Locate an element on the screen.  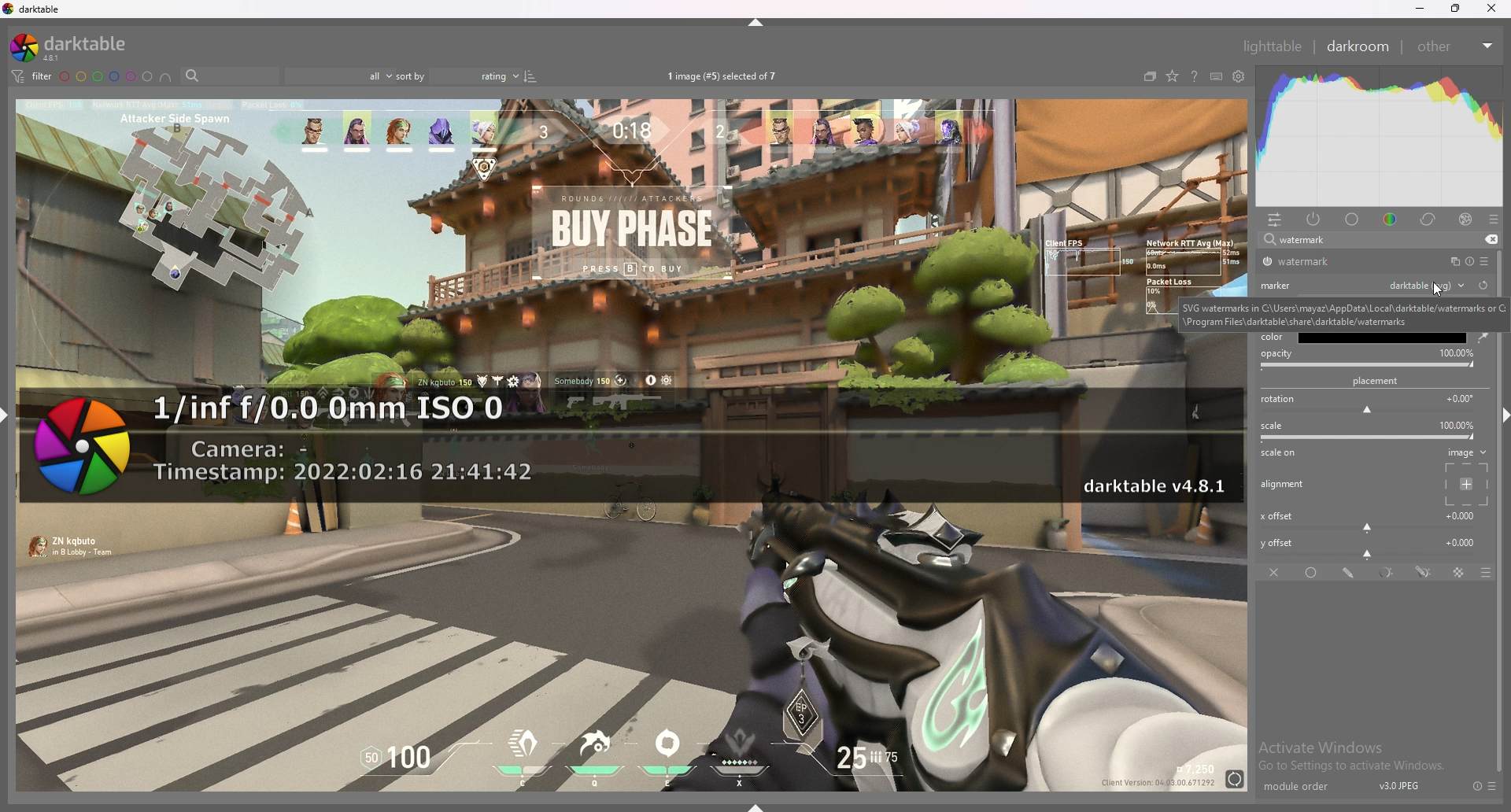
rotation is located at coordinates (1371, 404).